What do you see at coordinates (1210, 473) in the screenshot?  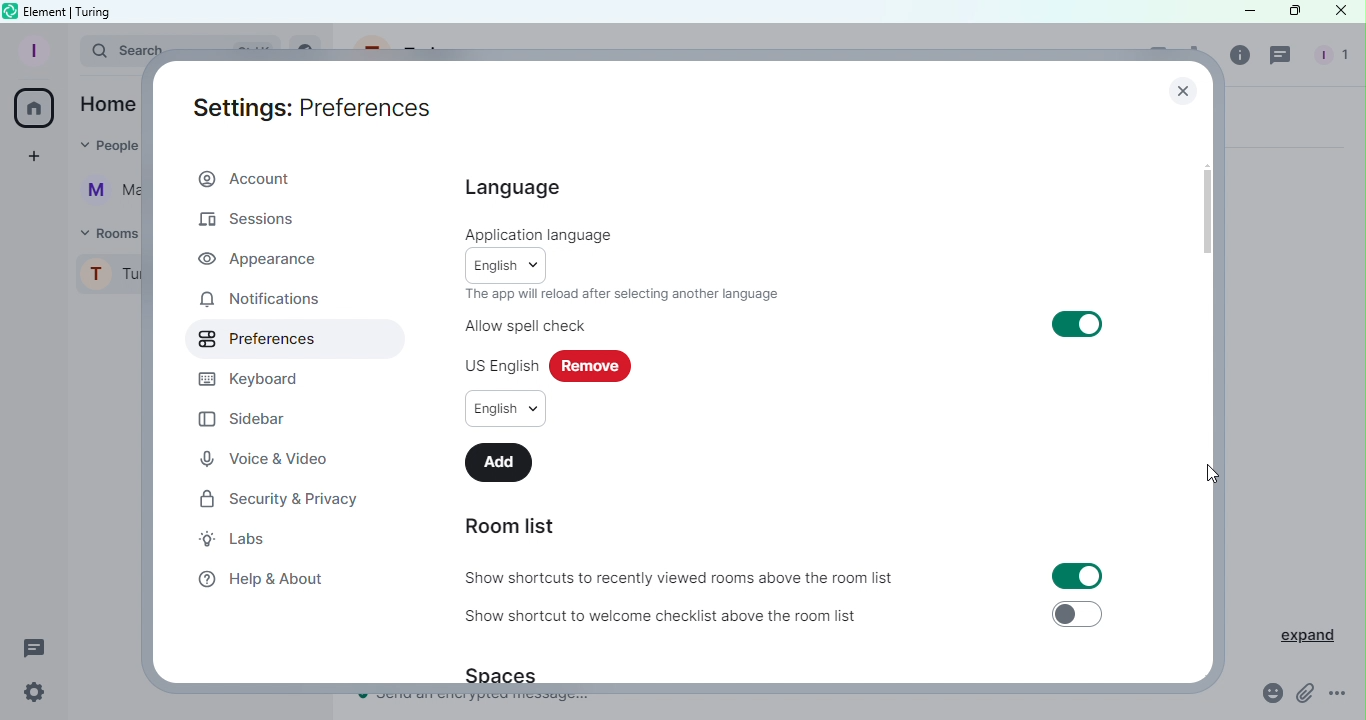 I see `Cursor` at bounding box center [1210, 473].